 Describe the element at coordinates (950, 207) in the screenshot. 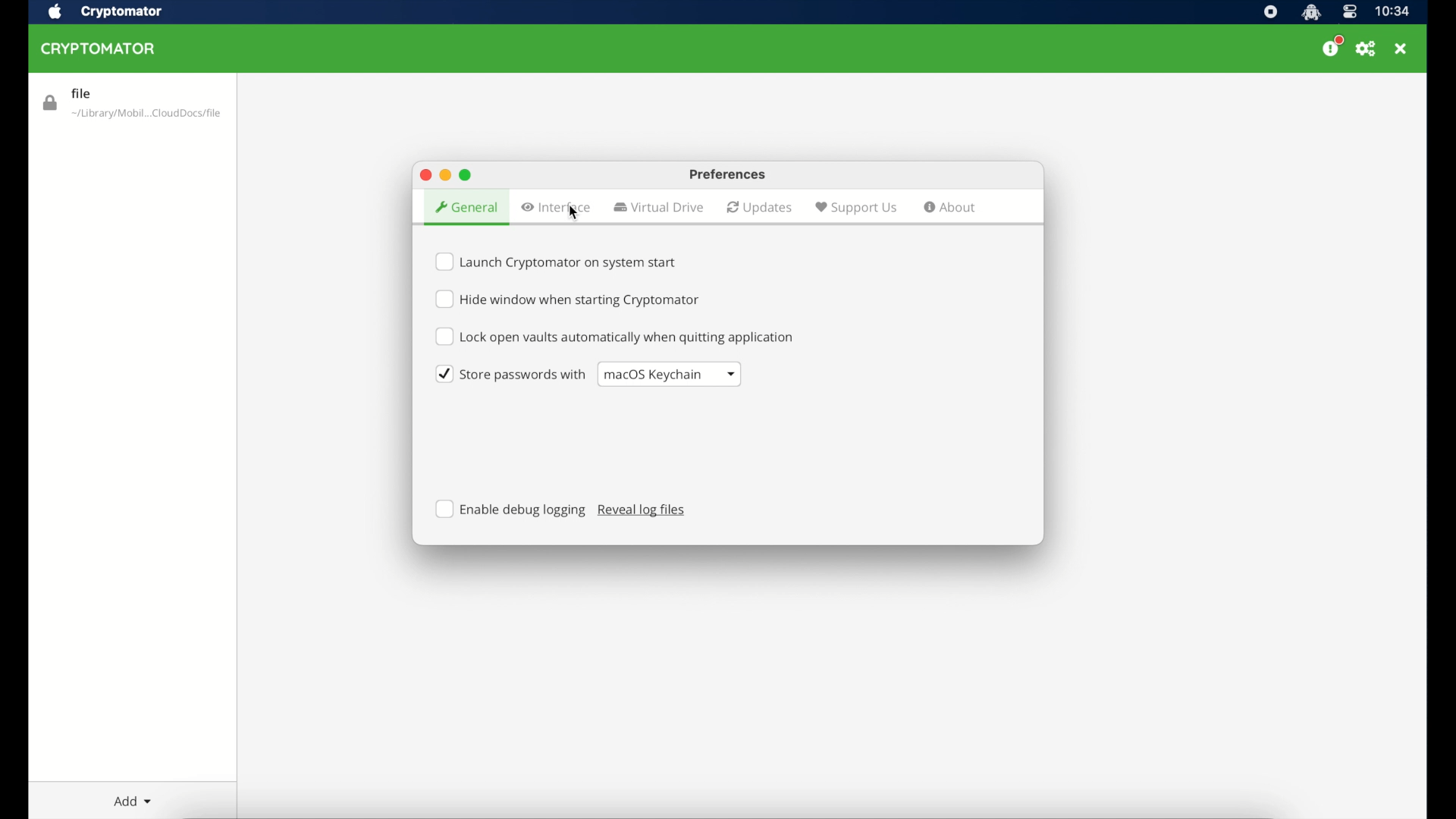

I see `about` at that location.